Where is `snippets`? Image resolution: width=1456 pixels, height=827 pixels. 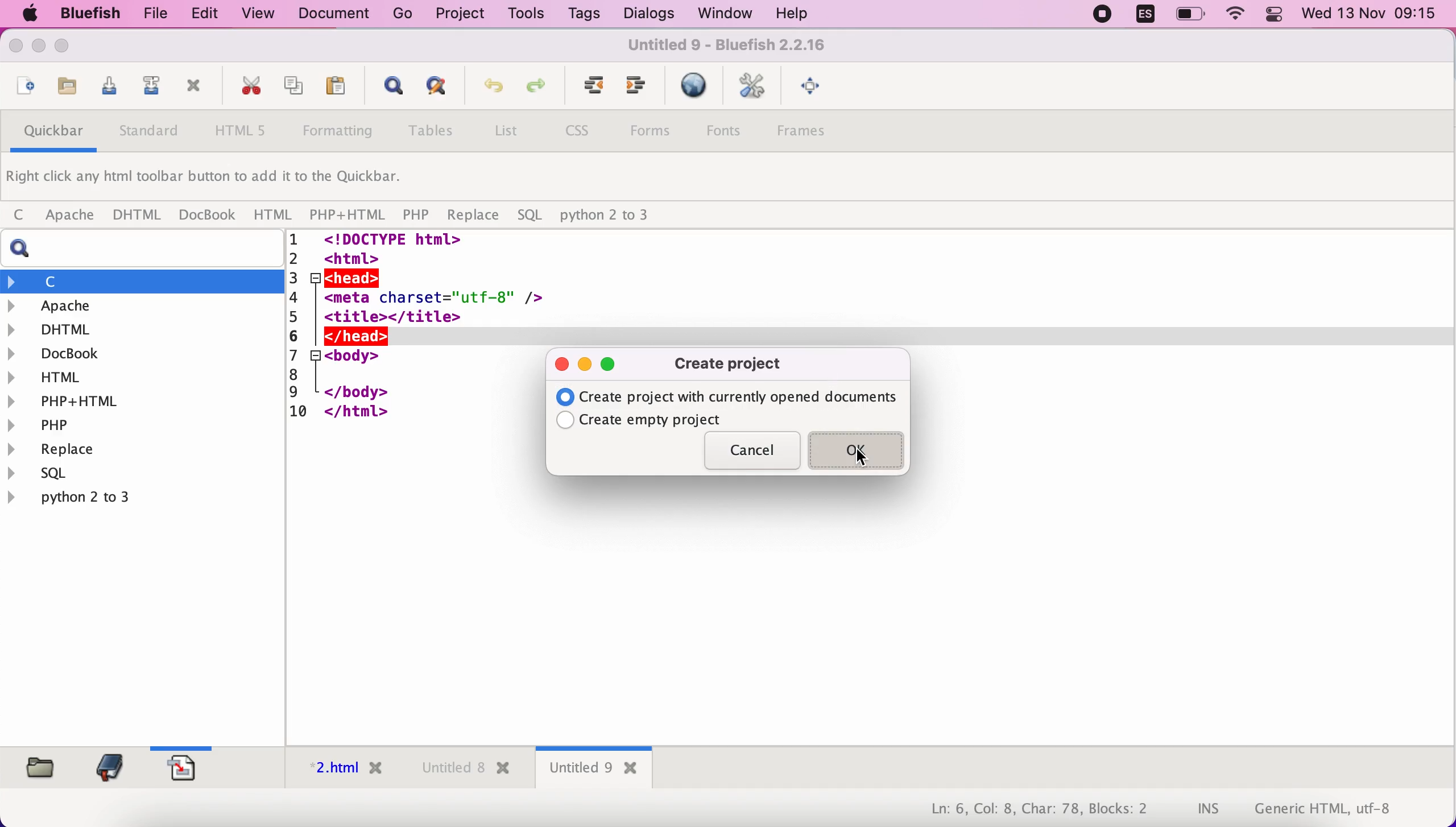 snippets is located at coordinates (188, 766).